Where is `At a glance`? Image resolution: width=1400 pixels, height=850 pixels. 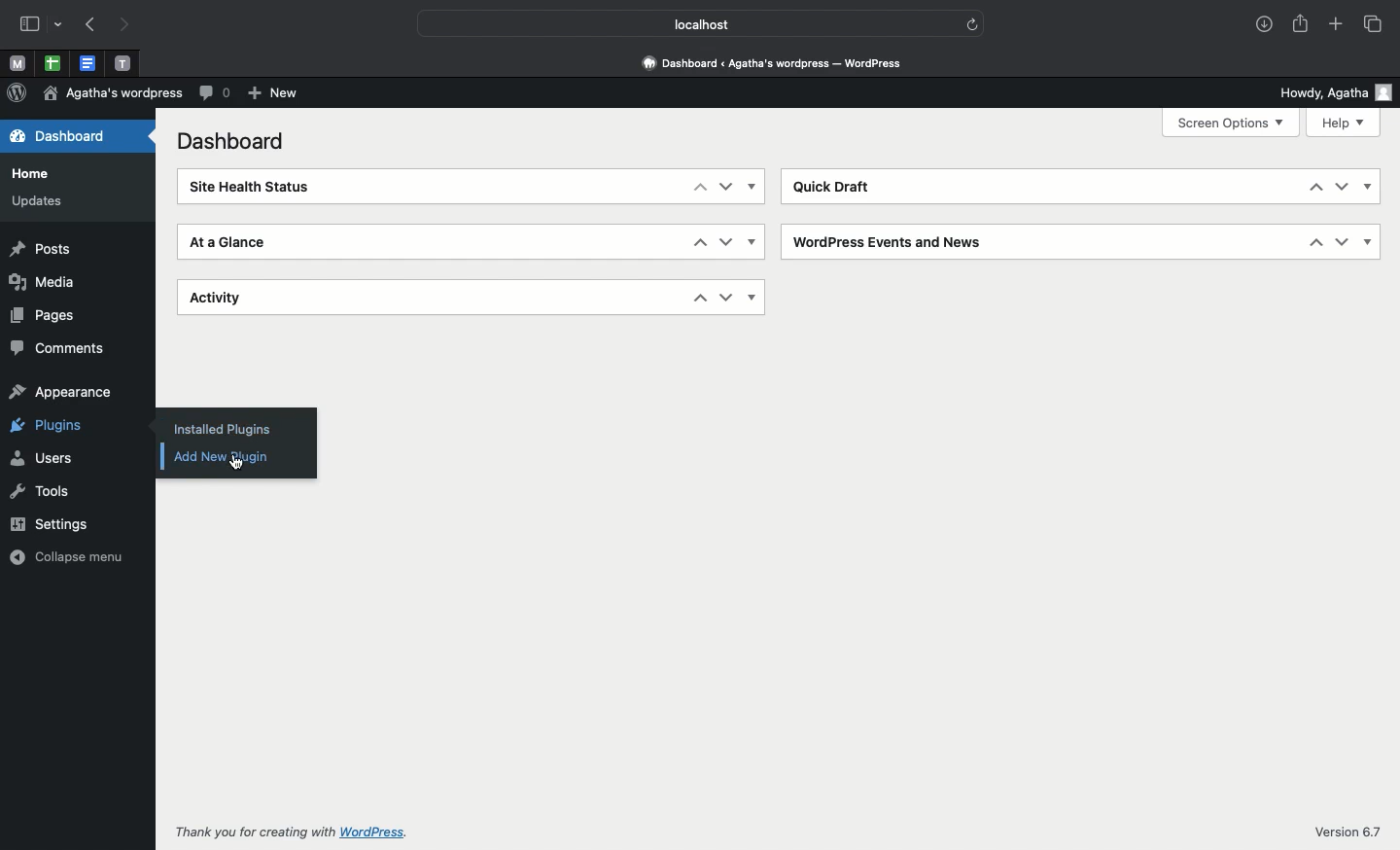
At a glance is located at coordinates (235, 240).